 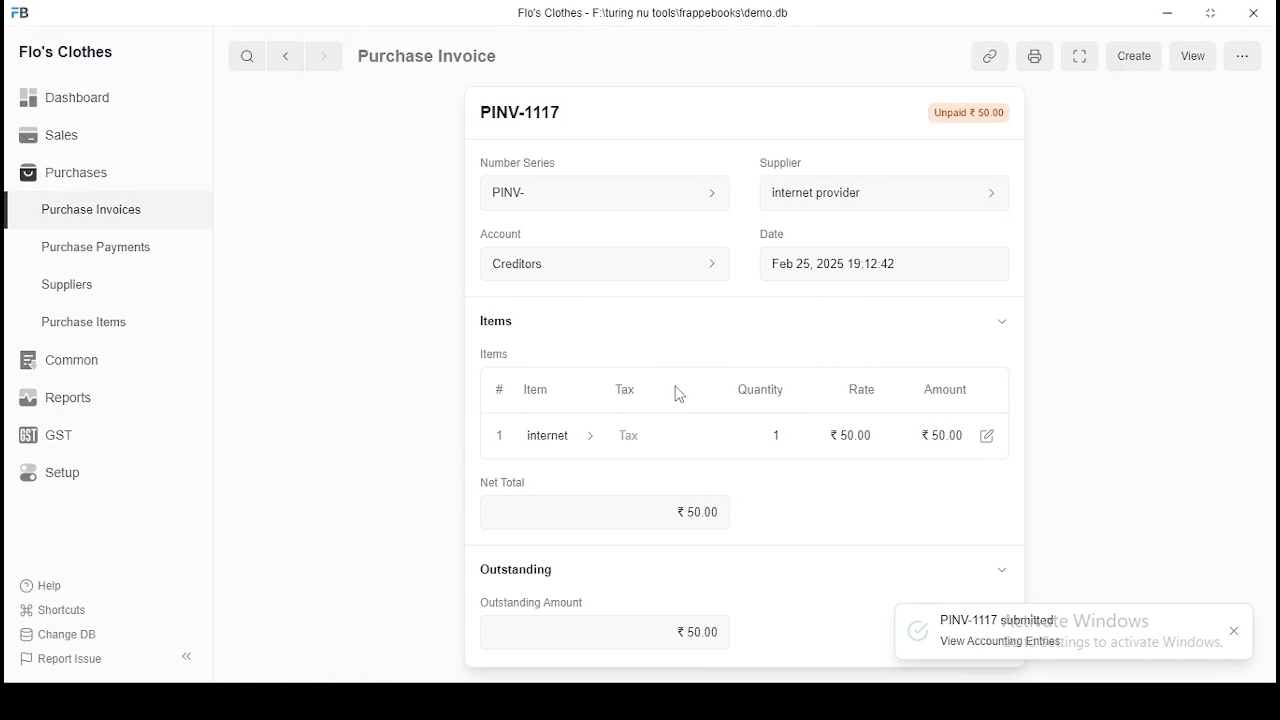 What do you see at coordinates (250, 58) in the screenshot?
I see `search` at bounding box center [250, 58].